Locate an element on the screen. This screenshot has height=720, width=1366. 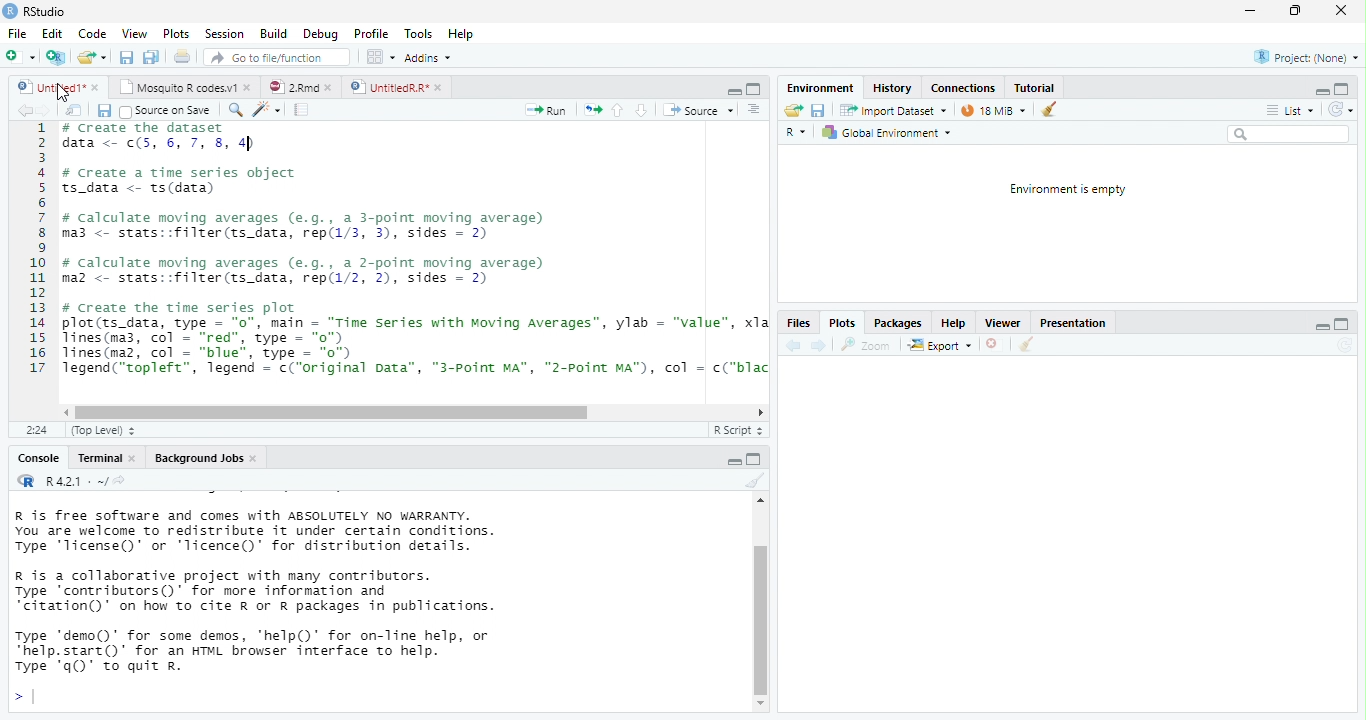
maximize is located at coordinates (735, 462).